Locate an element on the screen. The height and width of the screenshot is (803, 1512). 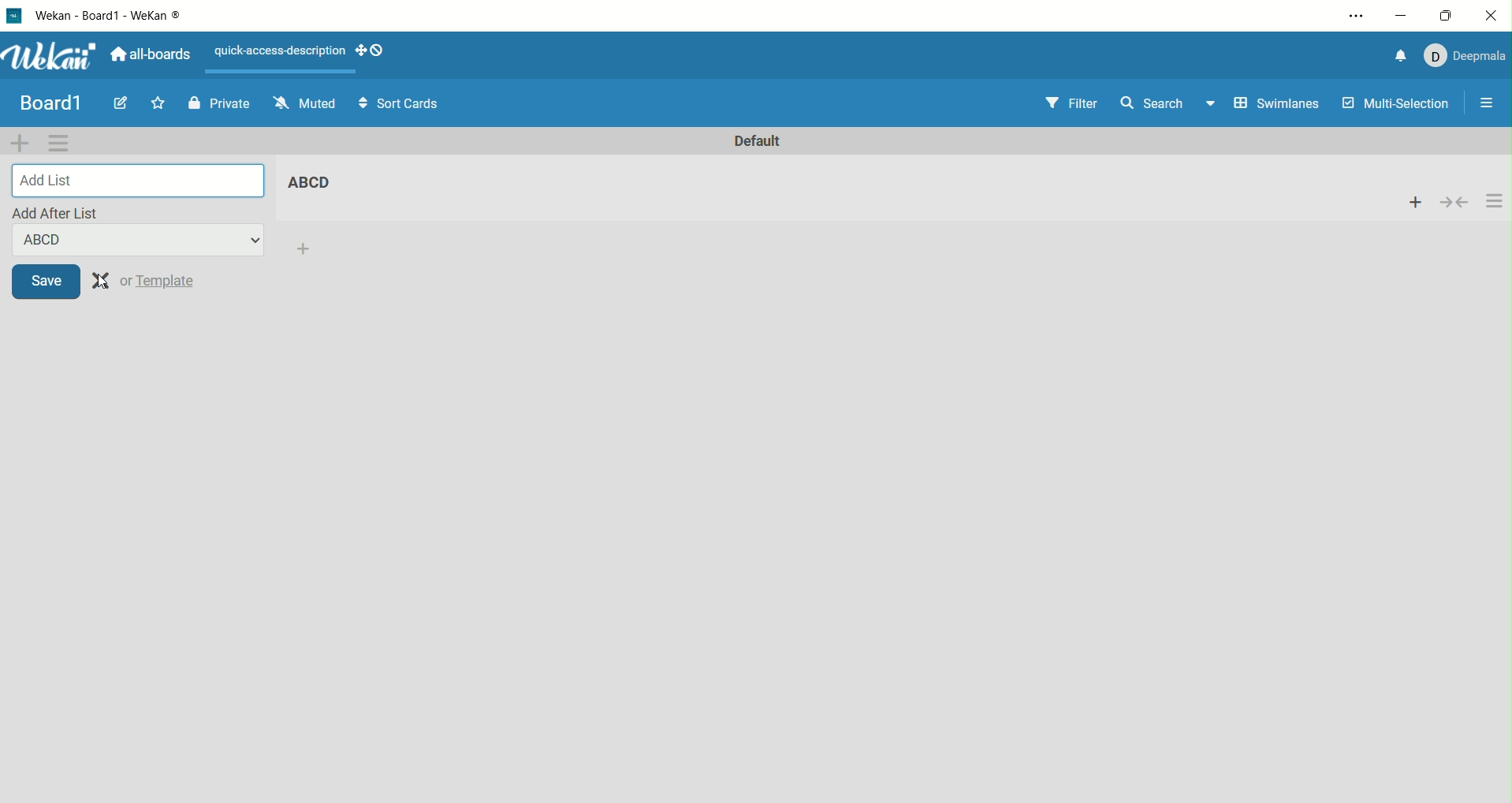
clear is located at coordinates (99, 281).